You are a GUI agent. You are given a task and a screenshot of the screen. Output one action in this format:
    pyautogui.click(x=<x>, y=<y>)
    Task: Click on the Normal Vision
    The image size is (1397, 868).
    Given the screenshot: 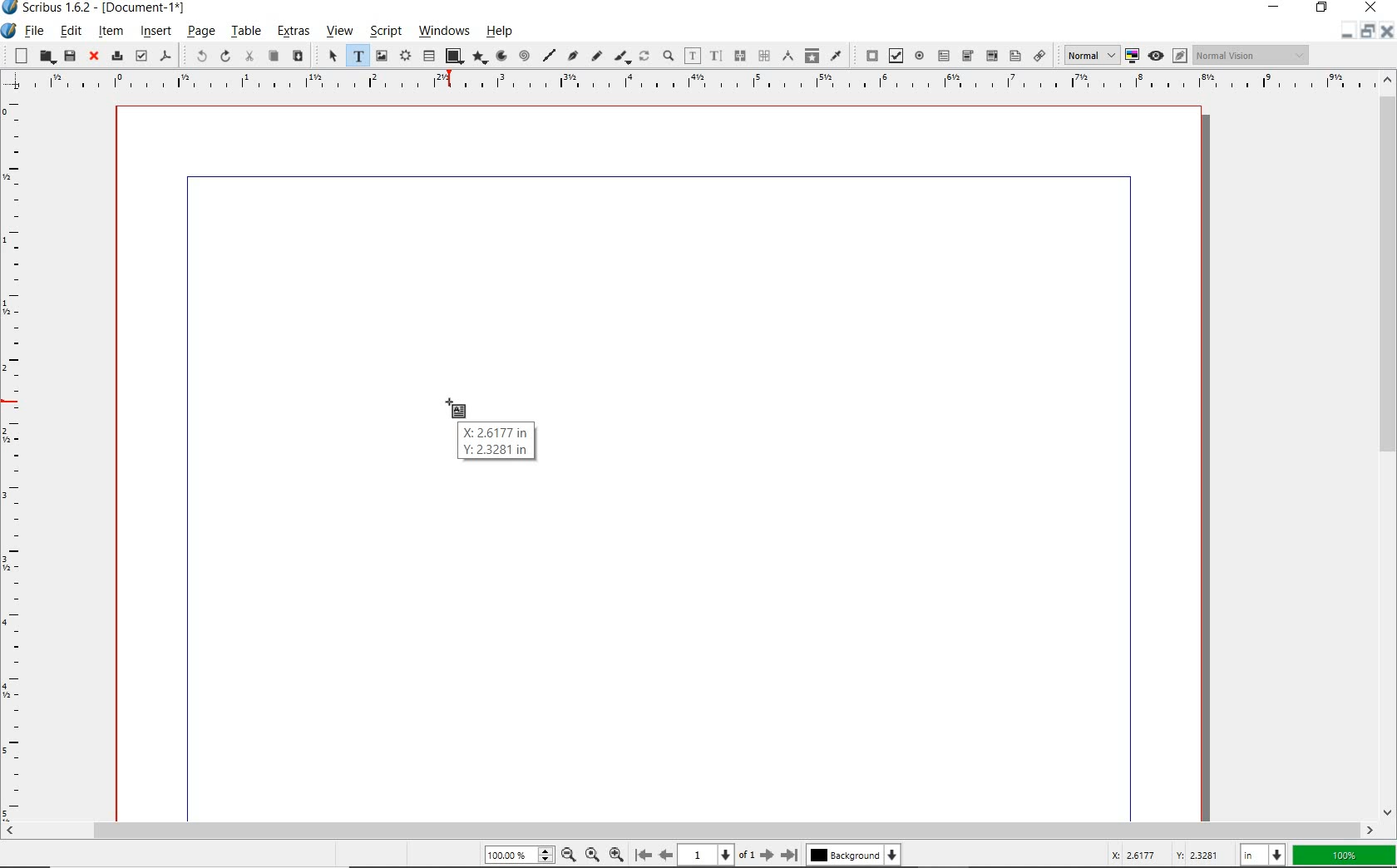 What is the action you would take?
    pyautogui.click(x=1253, y=57)
    